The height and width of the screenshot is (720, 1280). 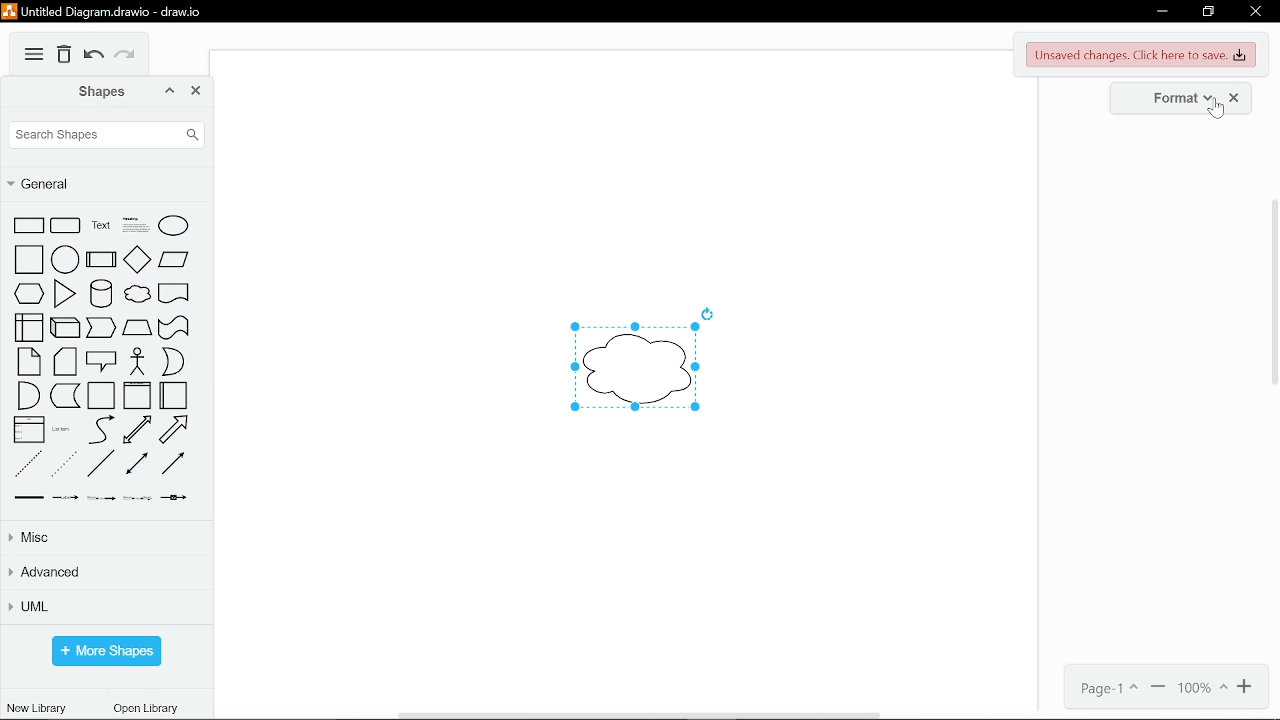 I want to click on zoom out, so click(x=1159, y=688).